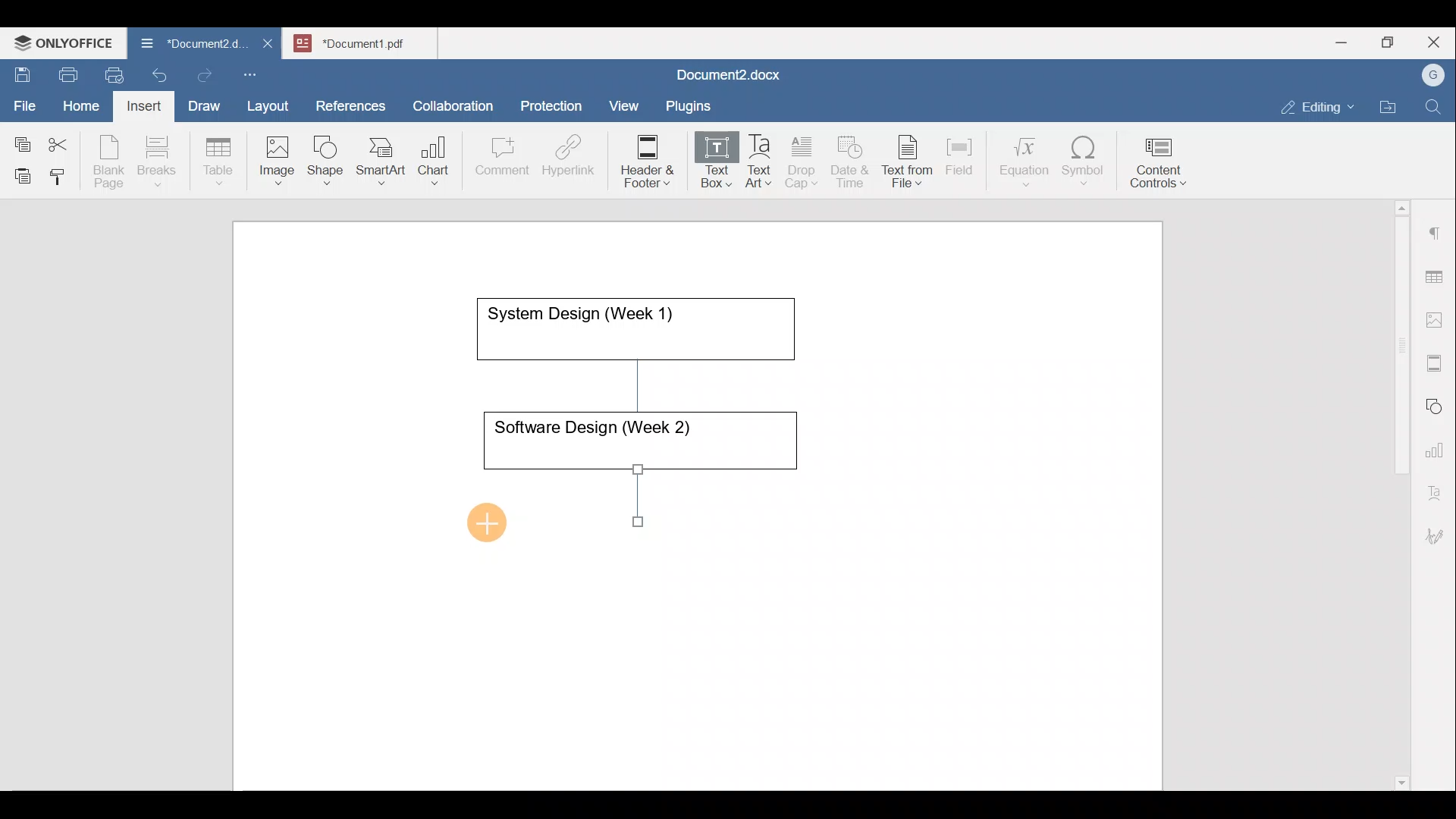 Image resolution: width=1456 pixels, height=819 pixels. What do you see at coordinates (1084, 165) in the screenshot?
I see `Symbol` at bounding box center [1084, 165].